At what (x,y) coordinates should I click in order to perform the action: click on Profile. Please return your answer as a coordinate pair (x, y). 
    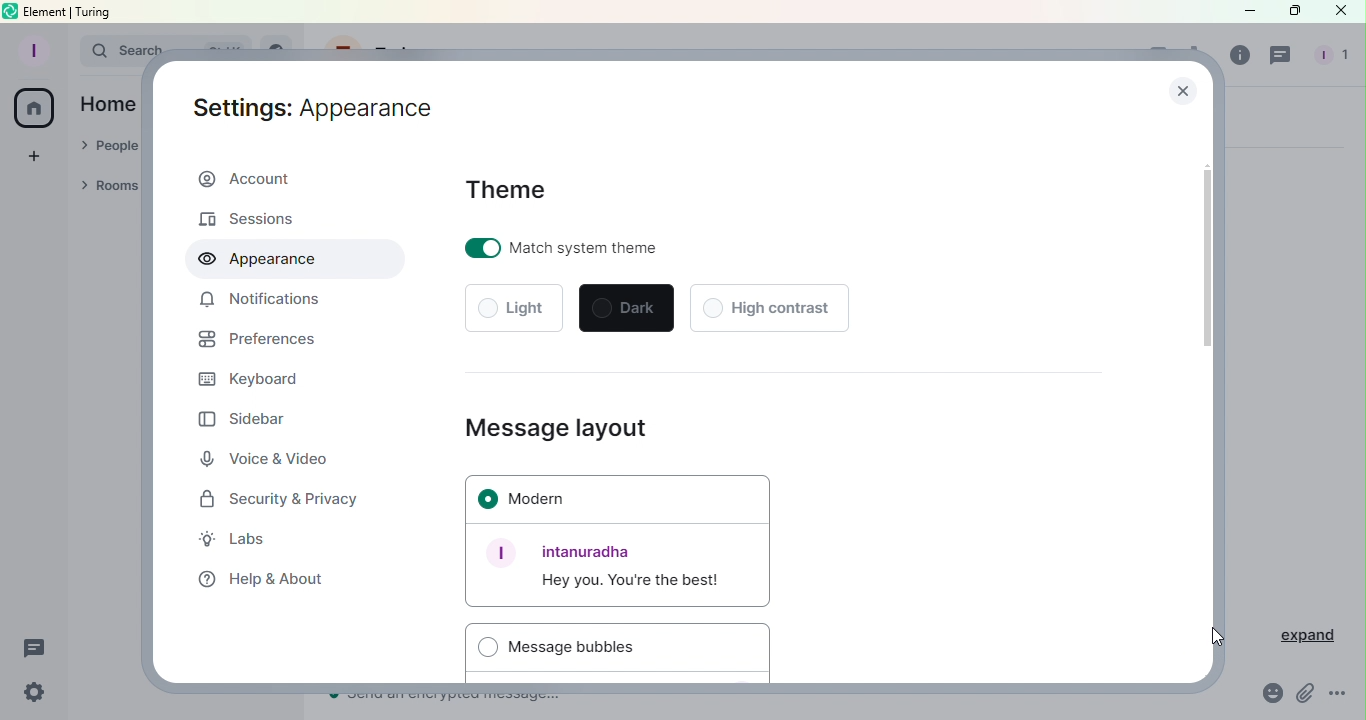
    Looking at the image, I should click on (31, 49).